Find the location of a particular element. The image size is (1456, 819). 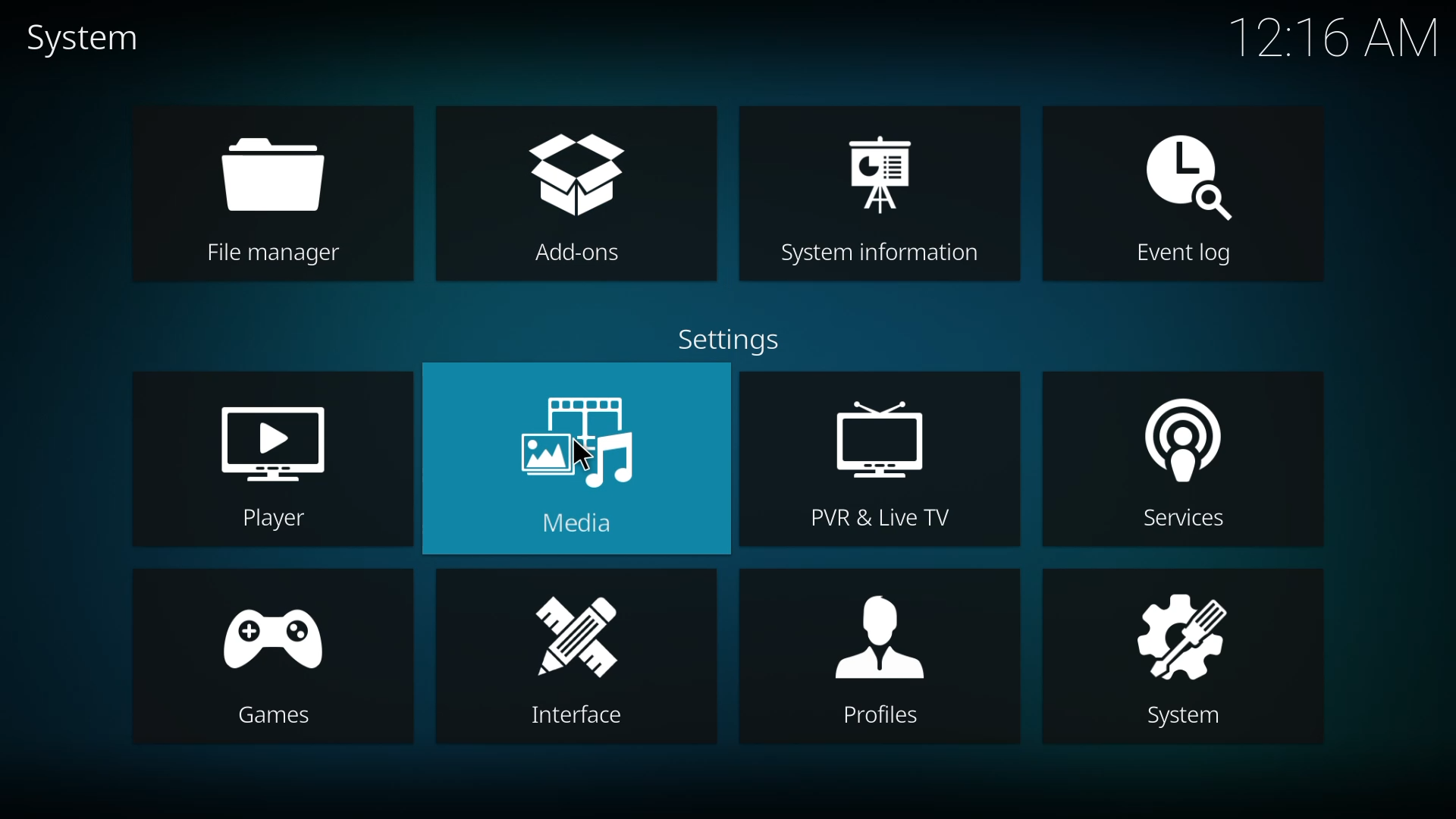

PVR & Live TV is located at coordinates (876, 519).